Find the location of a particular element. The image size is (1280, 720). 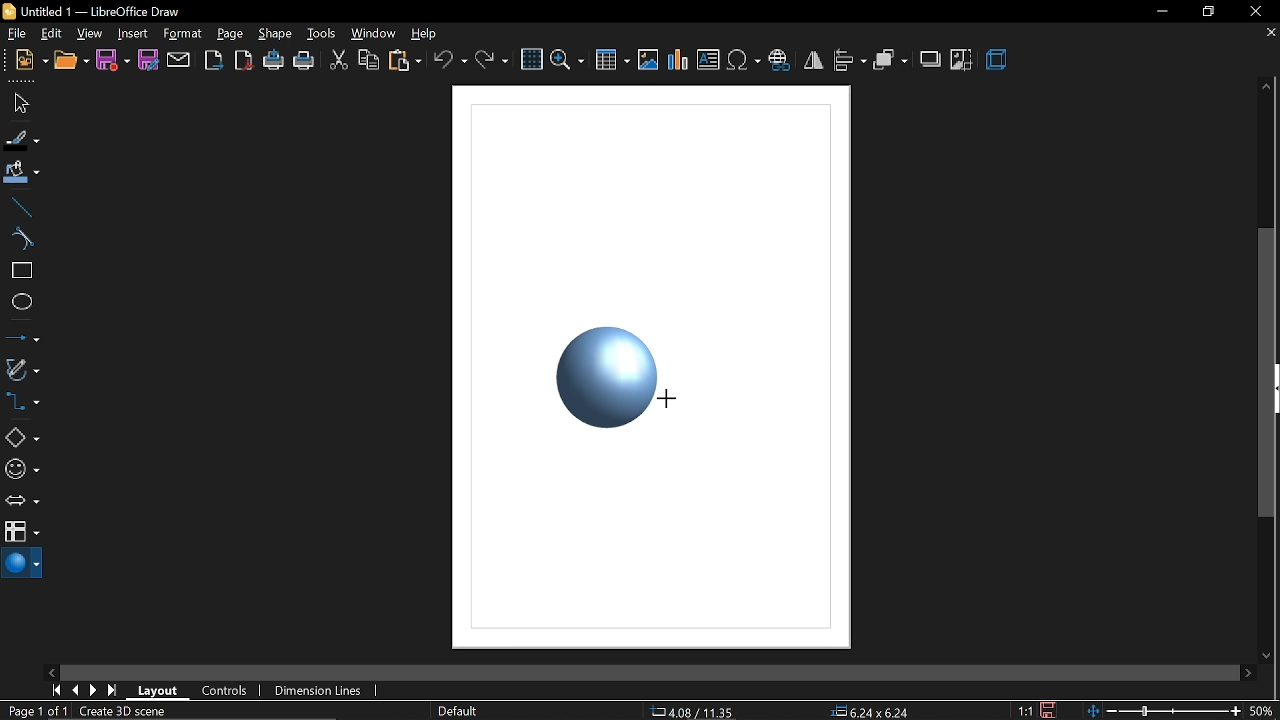

ellipse is located at coordinates (18, 301).